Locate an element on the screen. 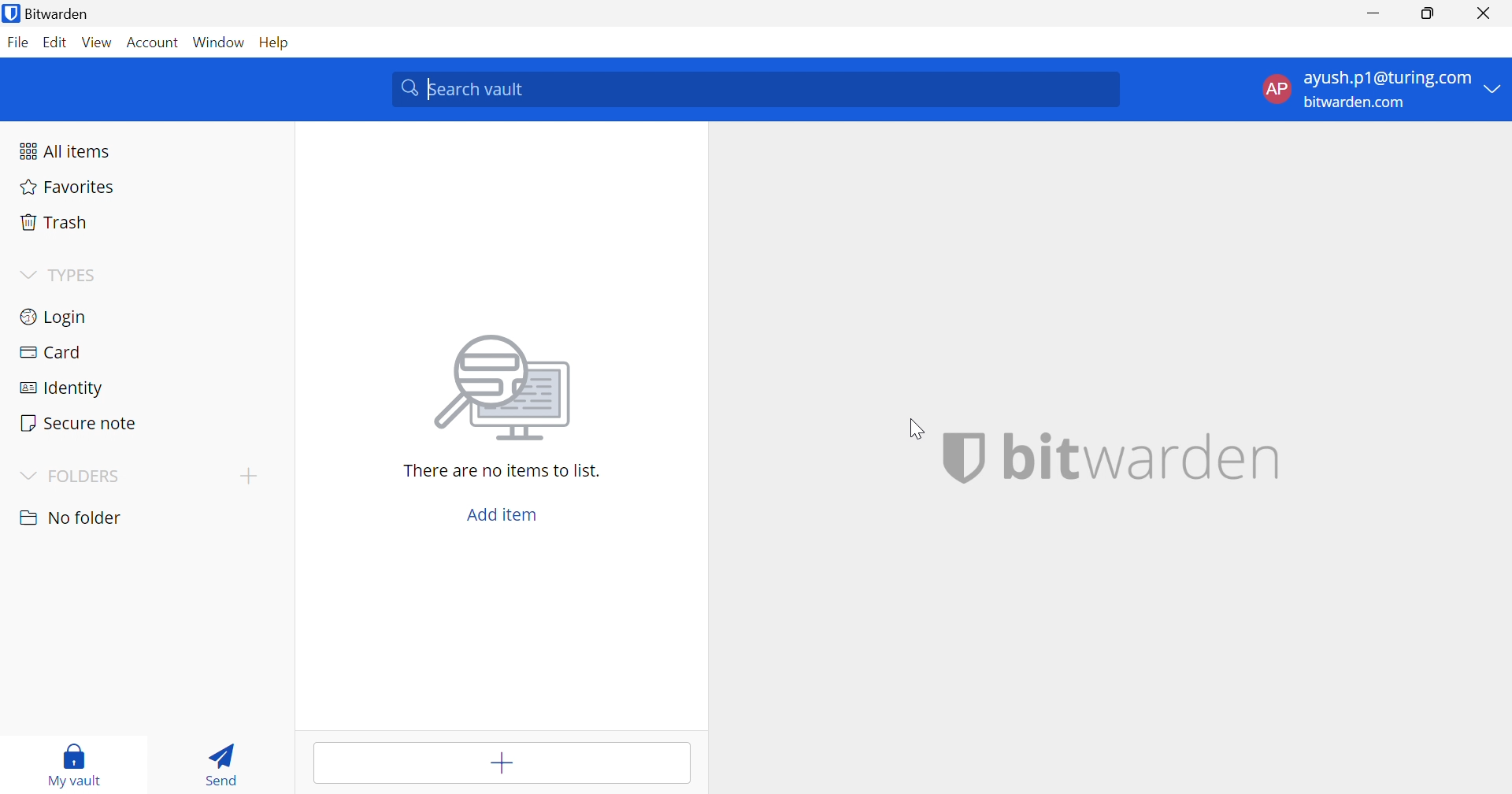 Image resolution: width=1512 pixels, height=794 pixels. Bitwarden is located at coordinates (50, 14).